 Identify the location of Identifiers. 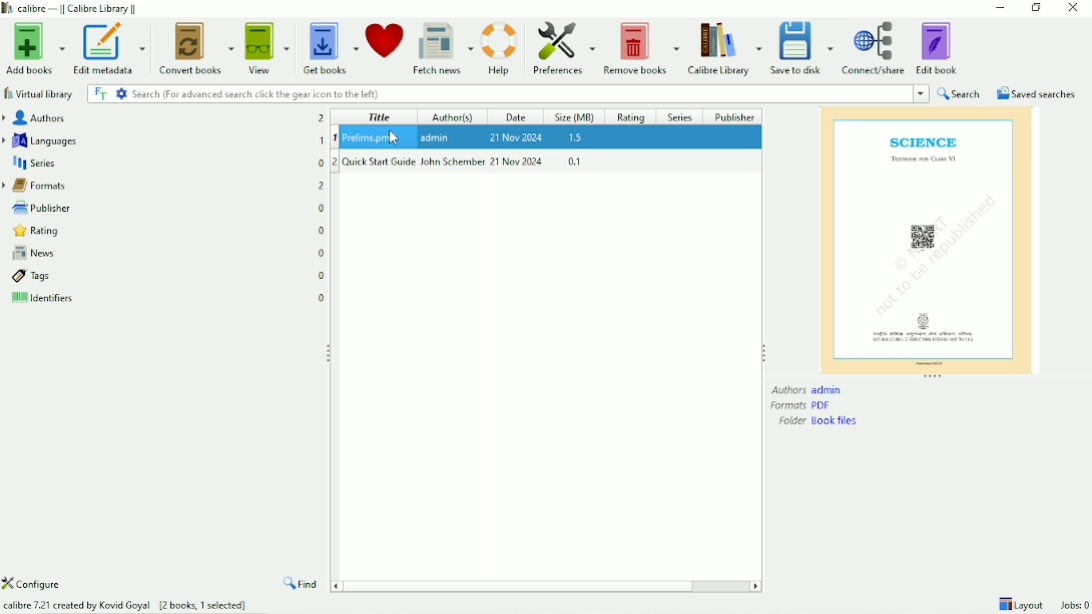
(40, 300).